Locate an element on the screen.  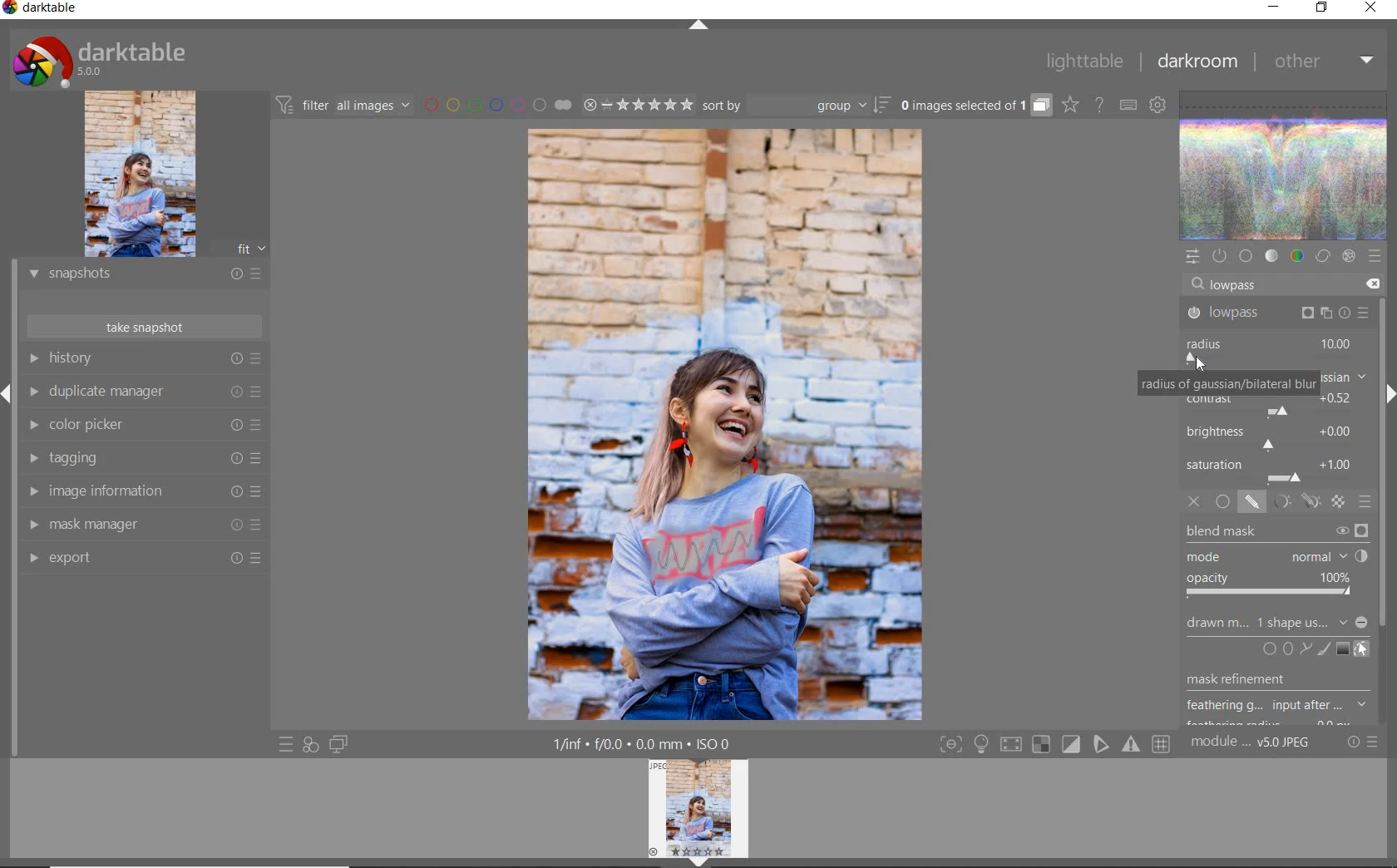
grouped images is located at coordinates (975, 106).